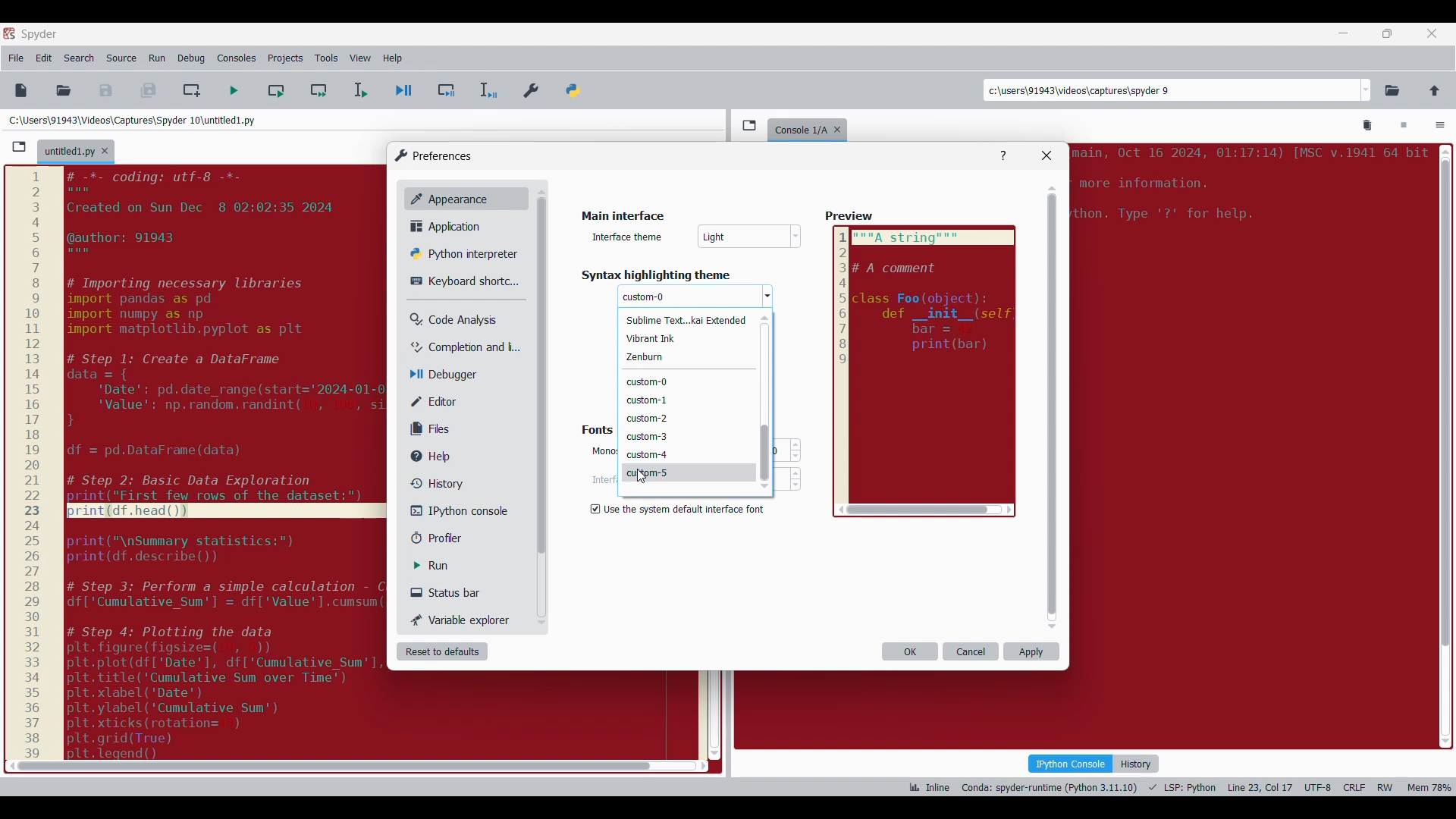 The height and width of the screenshot is (819, 1456). I want to click on Show in smaller tab, so click(1387, 33).